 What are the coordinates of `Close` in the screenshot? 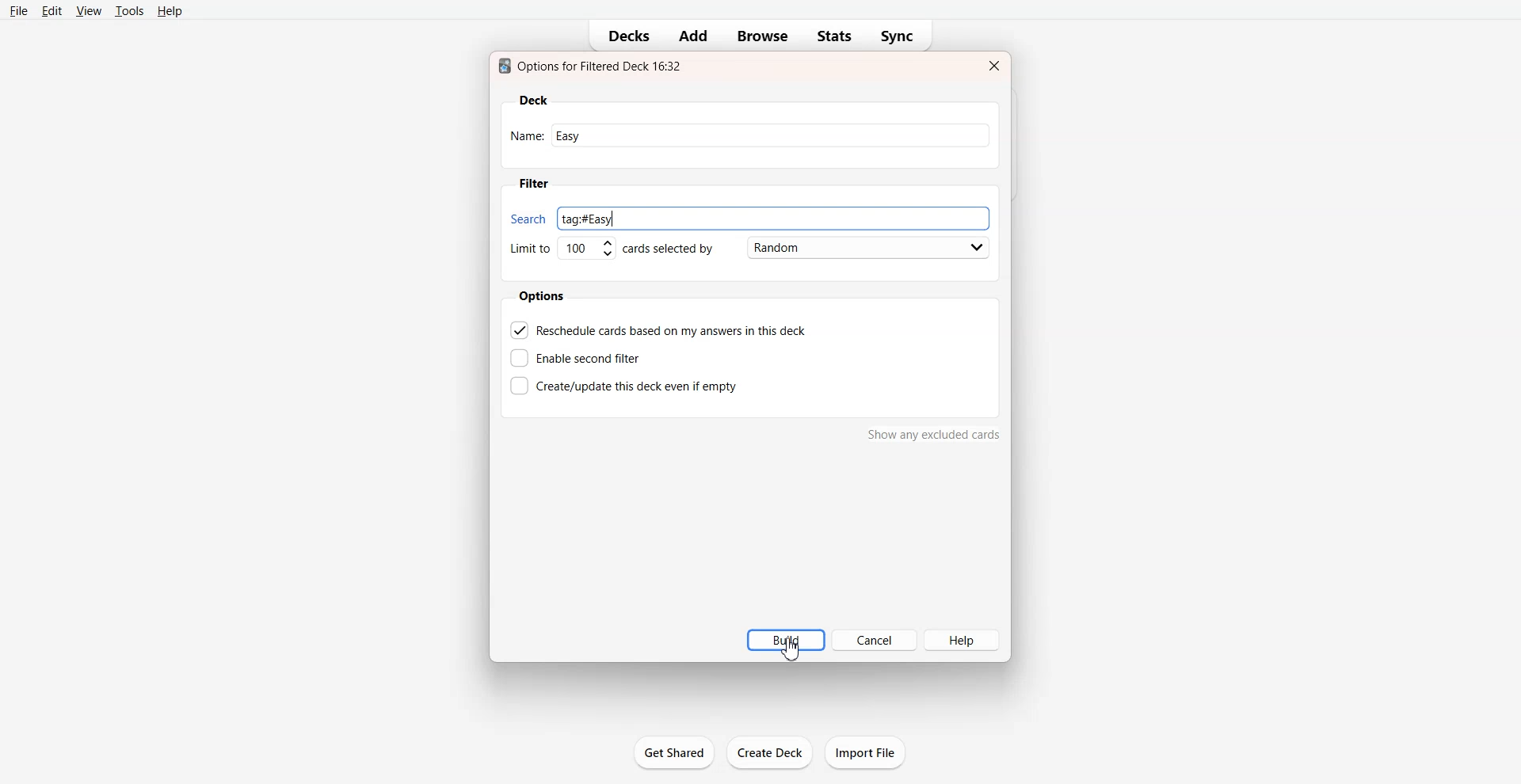 It's located at (993, 66).